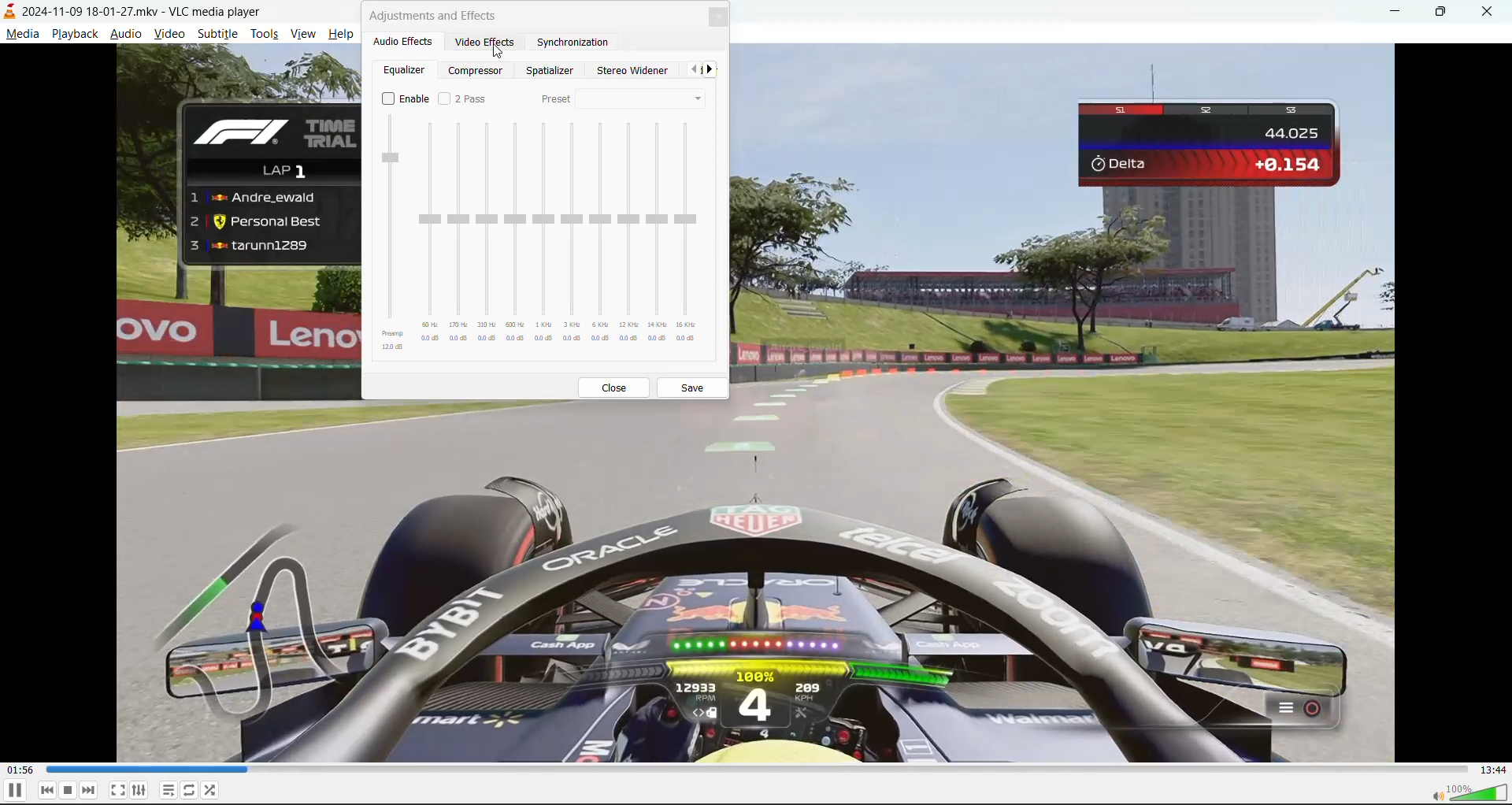 The width and height of the screenshot is (1512, 805). Describe the element at coordinates (14, 792) in the screenshot. I see `pause` at that location.